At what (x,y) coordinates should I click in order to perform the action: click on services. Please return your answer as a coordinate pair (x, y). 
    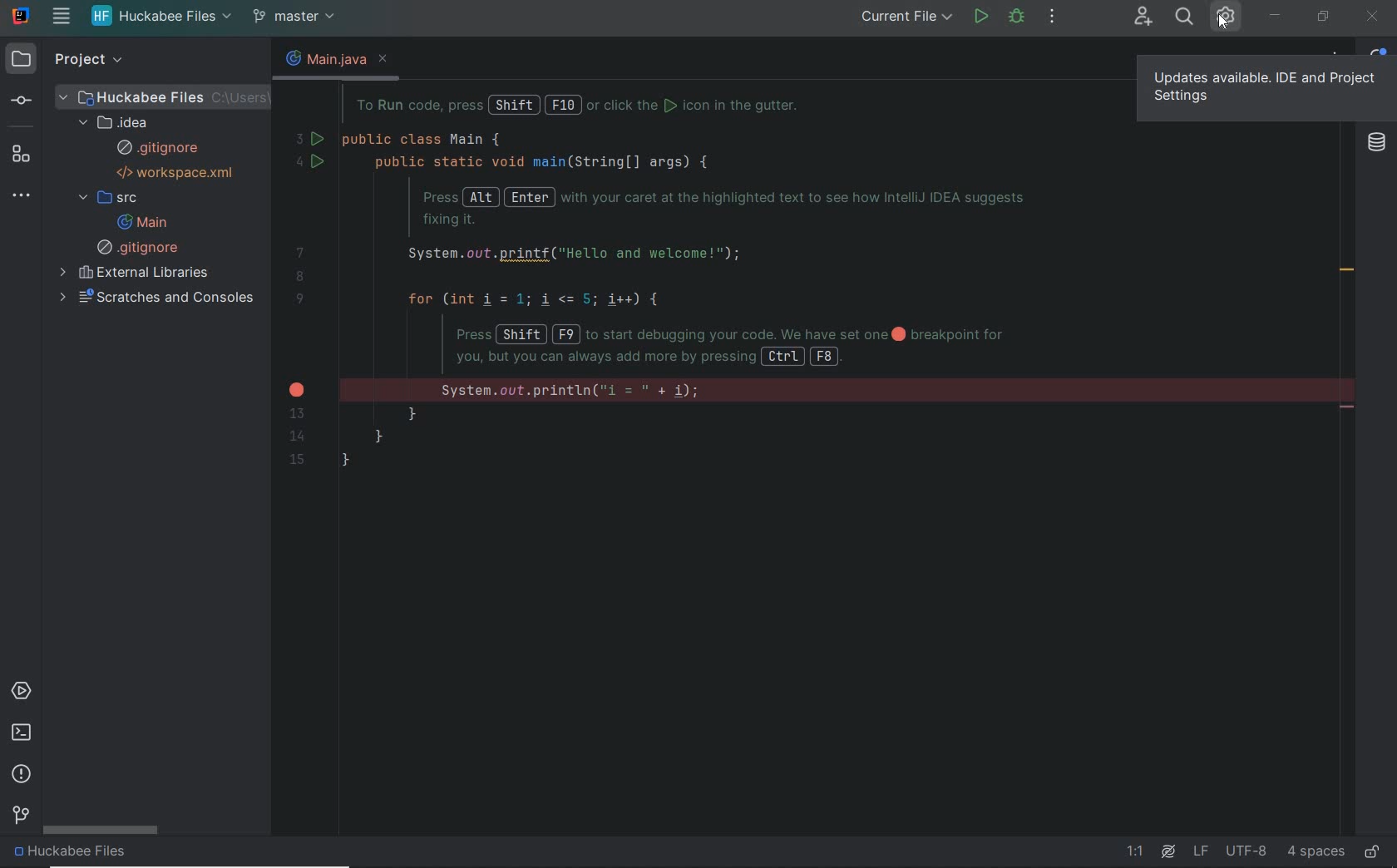
    Looking at the image, I should click on (25, 691).